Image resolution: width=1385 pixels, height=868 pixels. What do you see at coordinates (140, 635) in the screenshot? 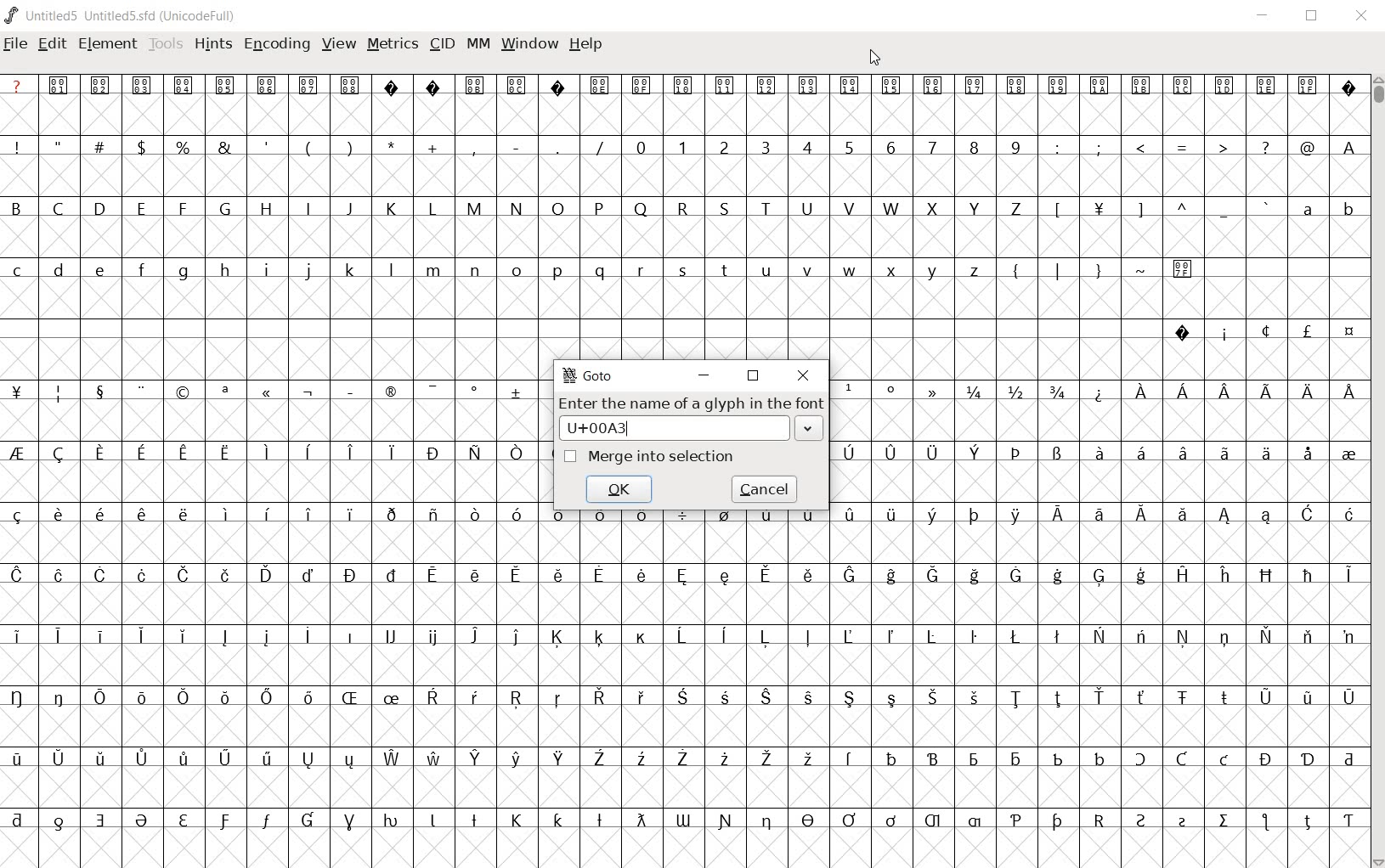
I see `Symbol` at bounding box center [140, 635].